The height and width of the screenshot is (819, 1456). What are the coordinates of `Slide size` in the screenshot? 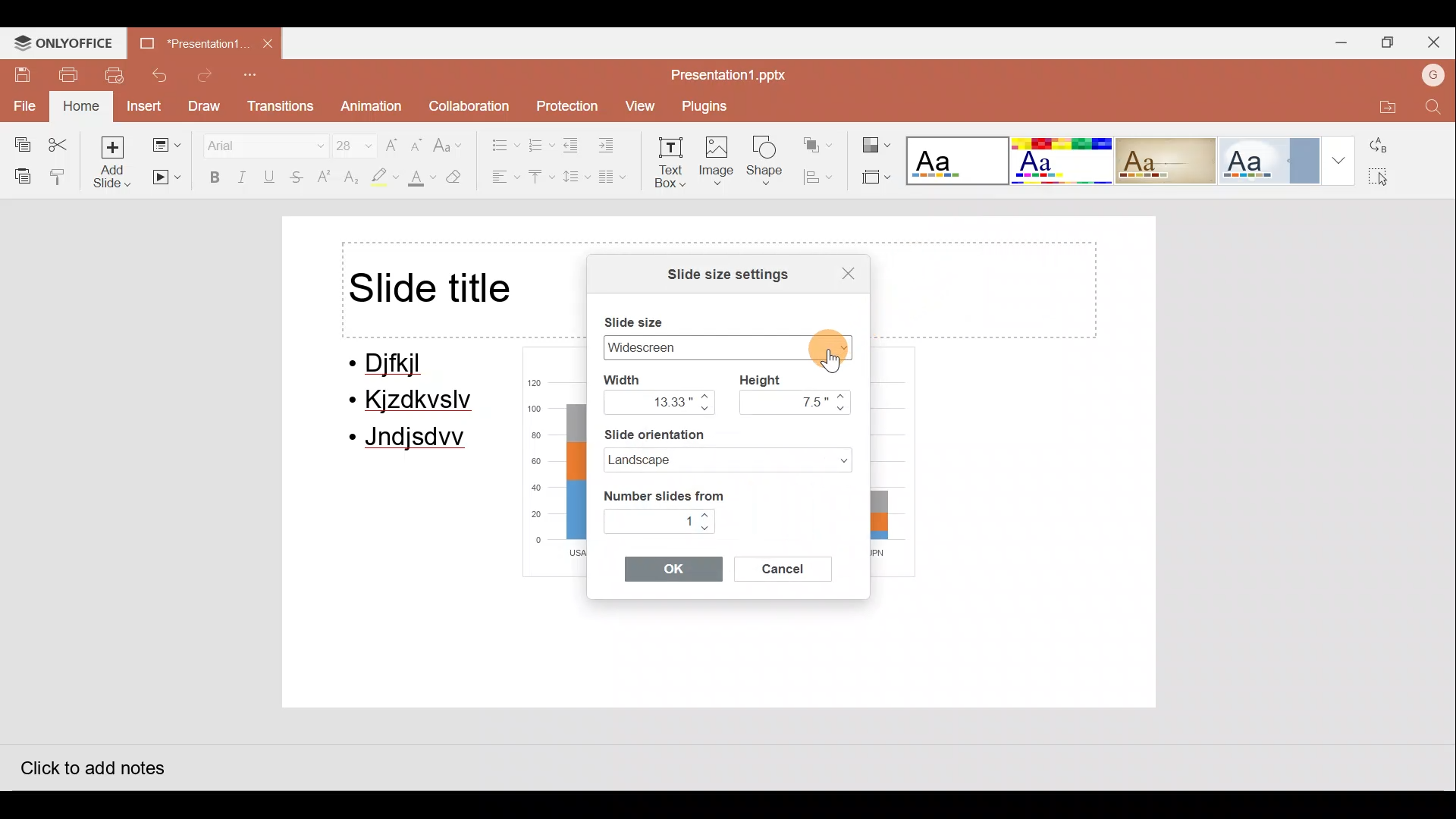 It's located at (642, 318).